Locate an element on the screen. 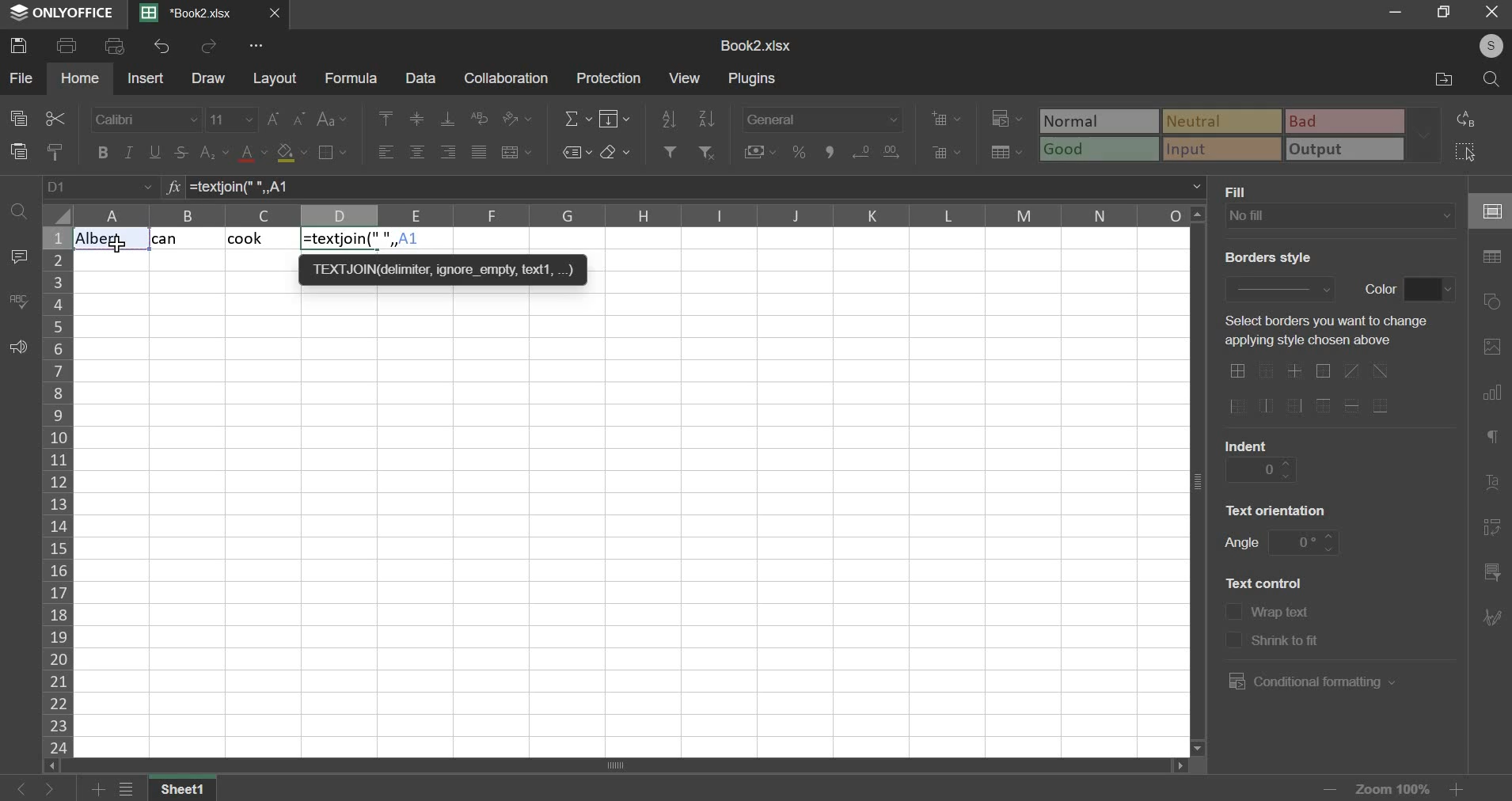  remove filter is located at coordinates (709, 151).